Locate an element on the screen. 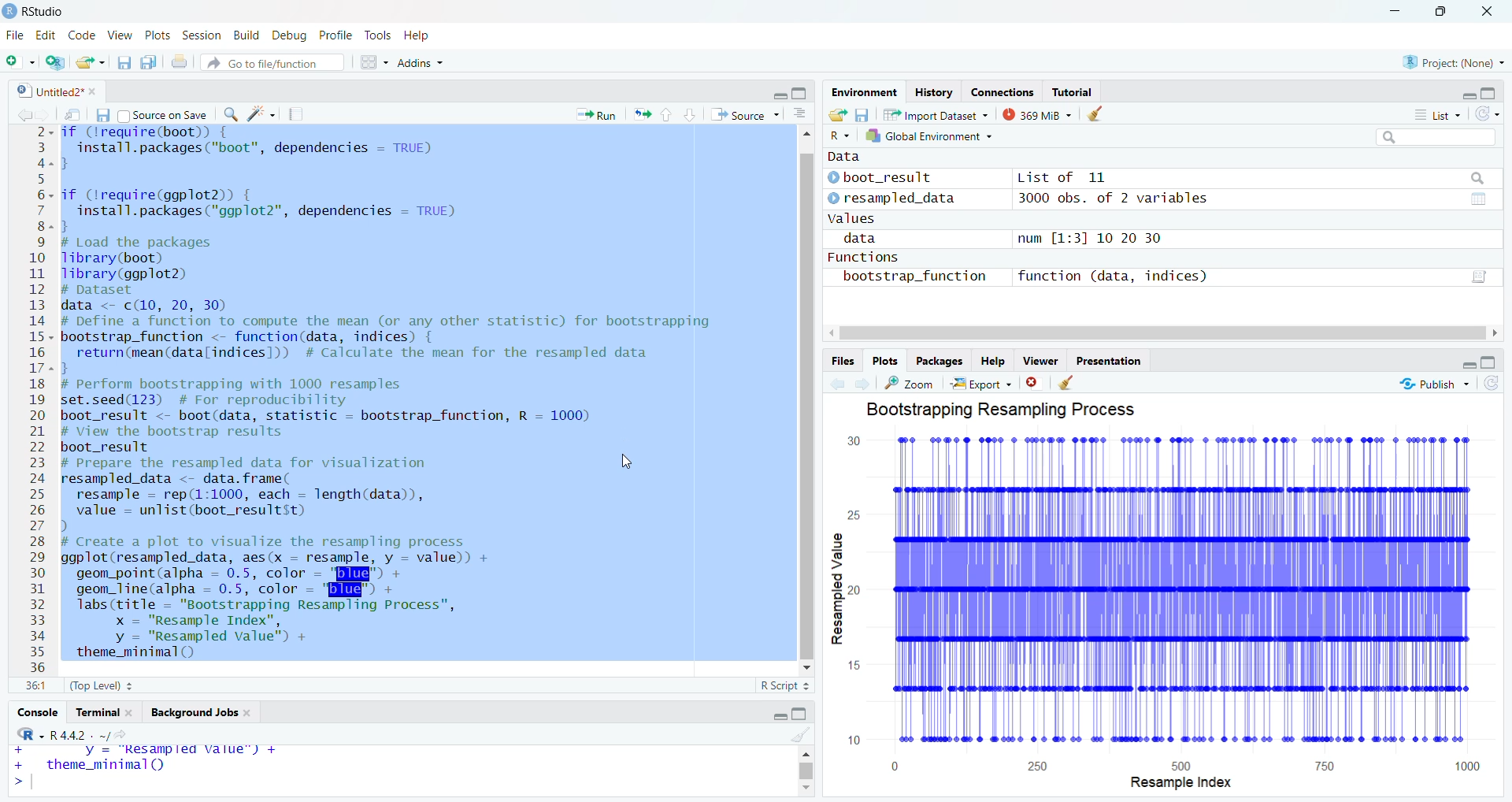 The width and height of the screenshot is (1512, 802). terminal is located at coordinates (106, 711).